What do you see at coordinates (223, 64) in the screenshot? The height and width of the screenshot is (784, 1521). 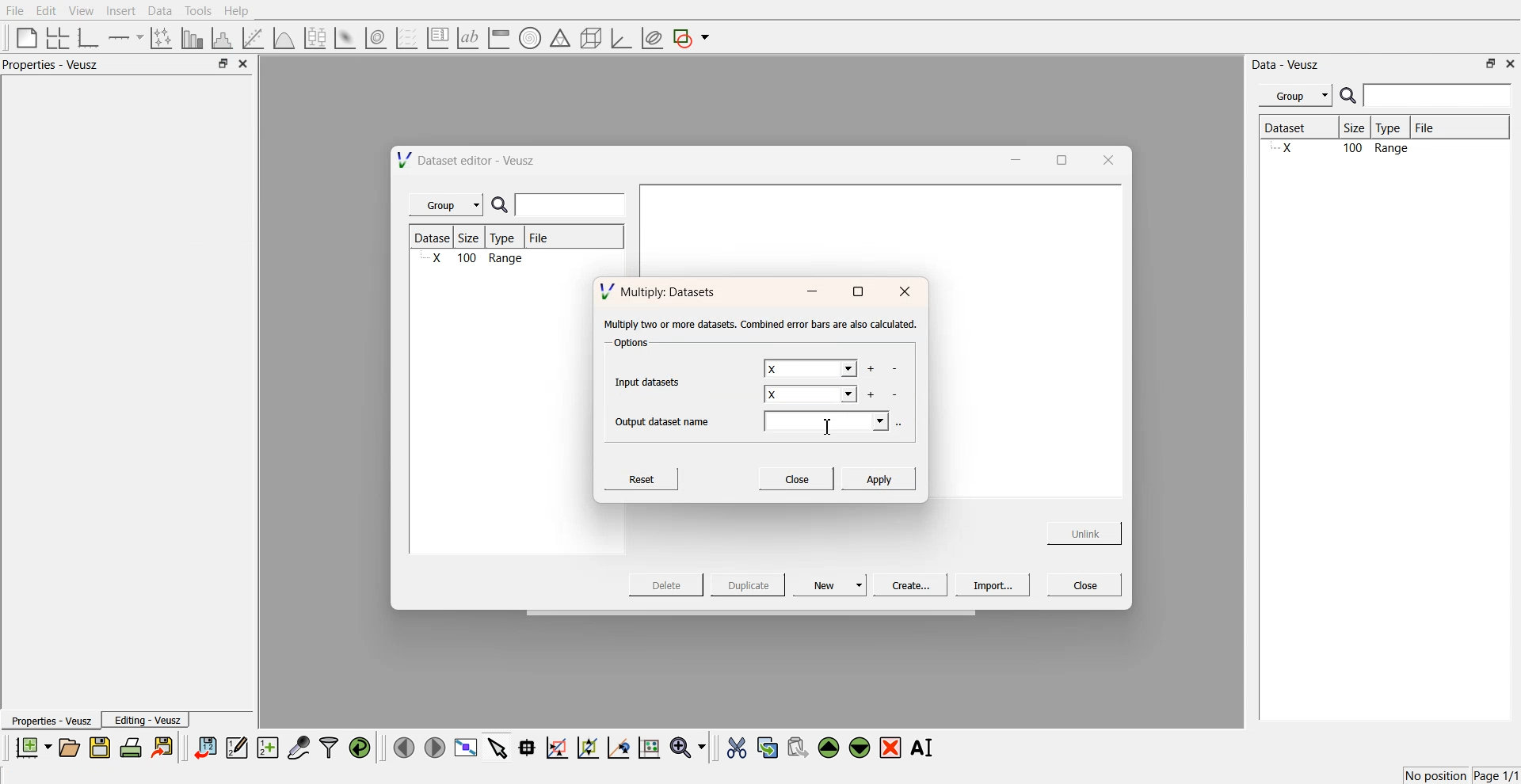 I see `minimise or maximise` at bounding box center [223, 64].